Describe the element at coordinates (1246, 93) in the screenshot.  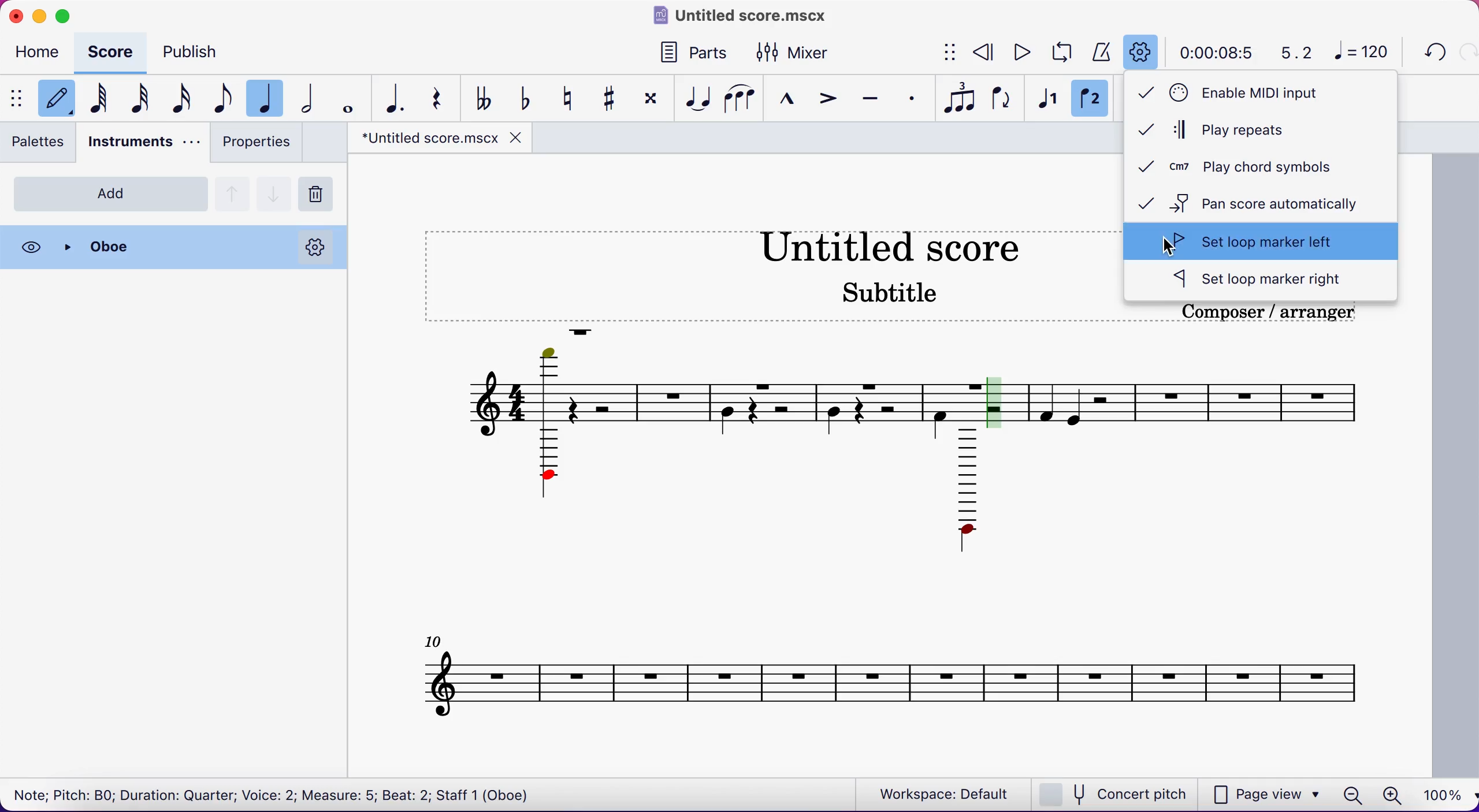
I see `enable midi input` at that location.